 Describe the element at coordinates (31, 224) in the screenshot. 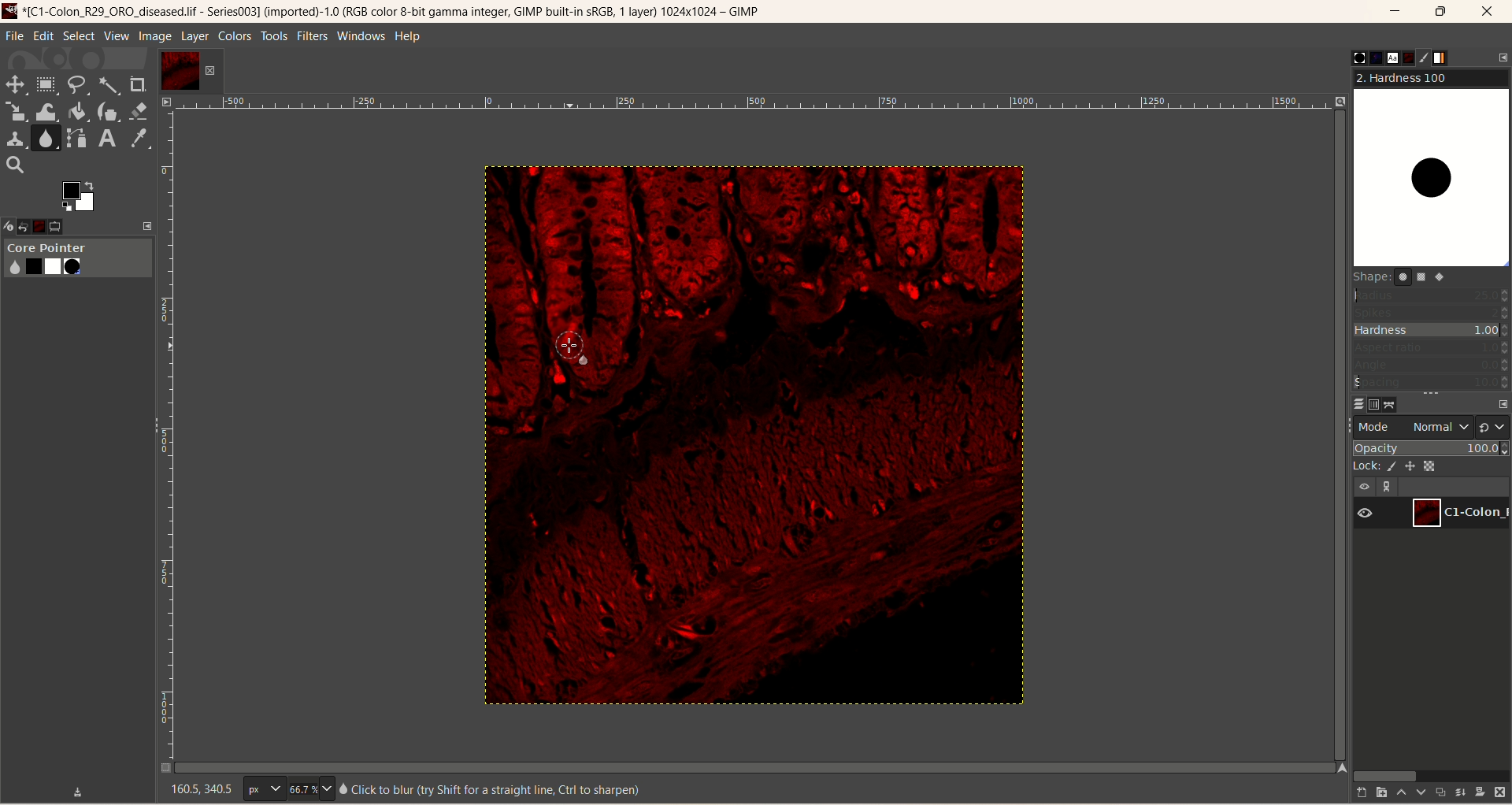

I see `open` at that location.